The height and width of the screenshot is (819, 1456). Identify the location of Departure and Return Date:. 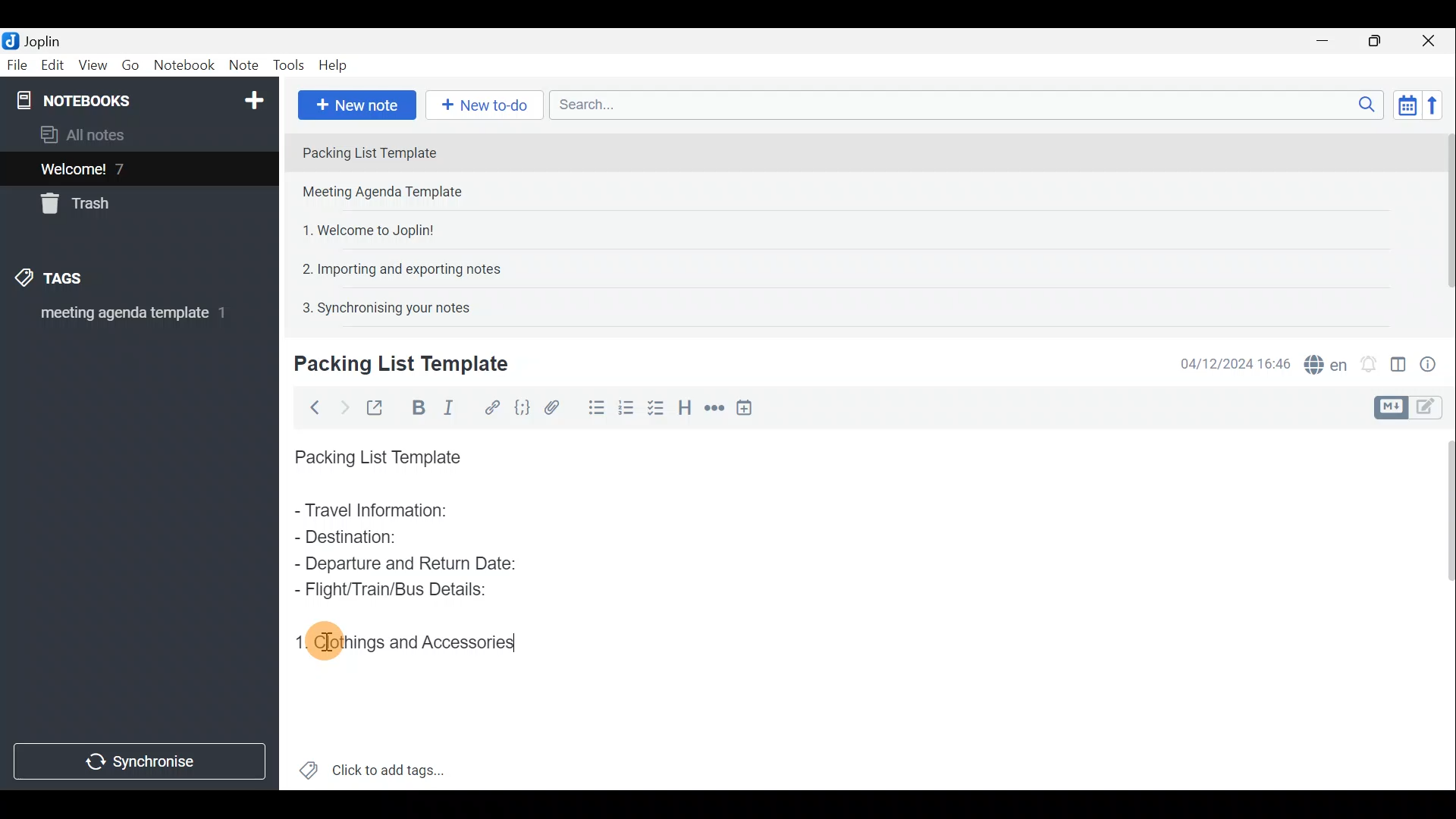
(406, 563).